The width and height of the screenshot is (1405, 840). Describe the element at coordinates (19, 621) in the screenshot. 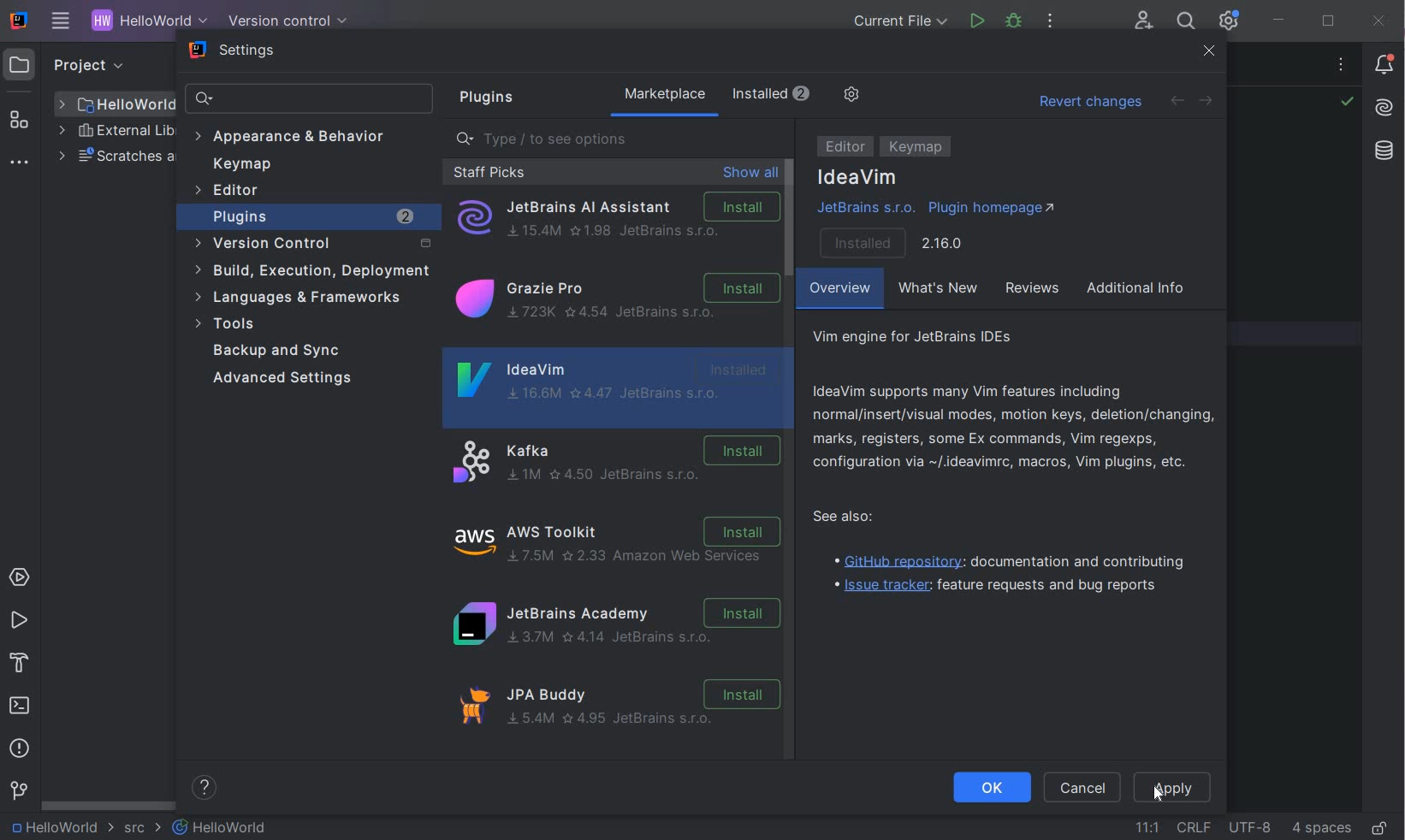

I see `RUN` at that location.